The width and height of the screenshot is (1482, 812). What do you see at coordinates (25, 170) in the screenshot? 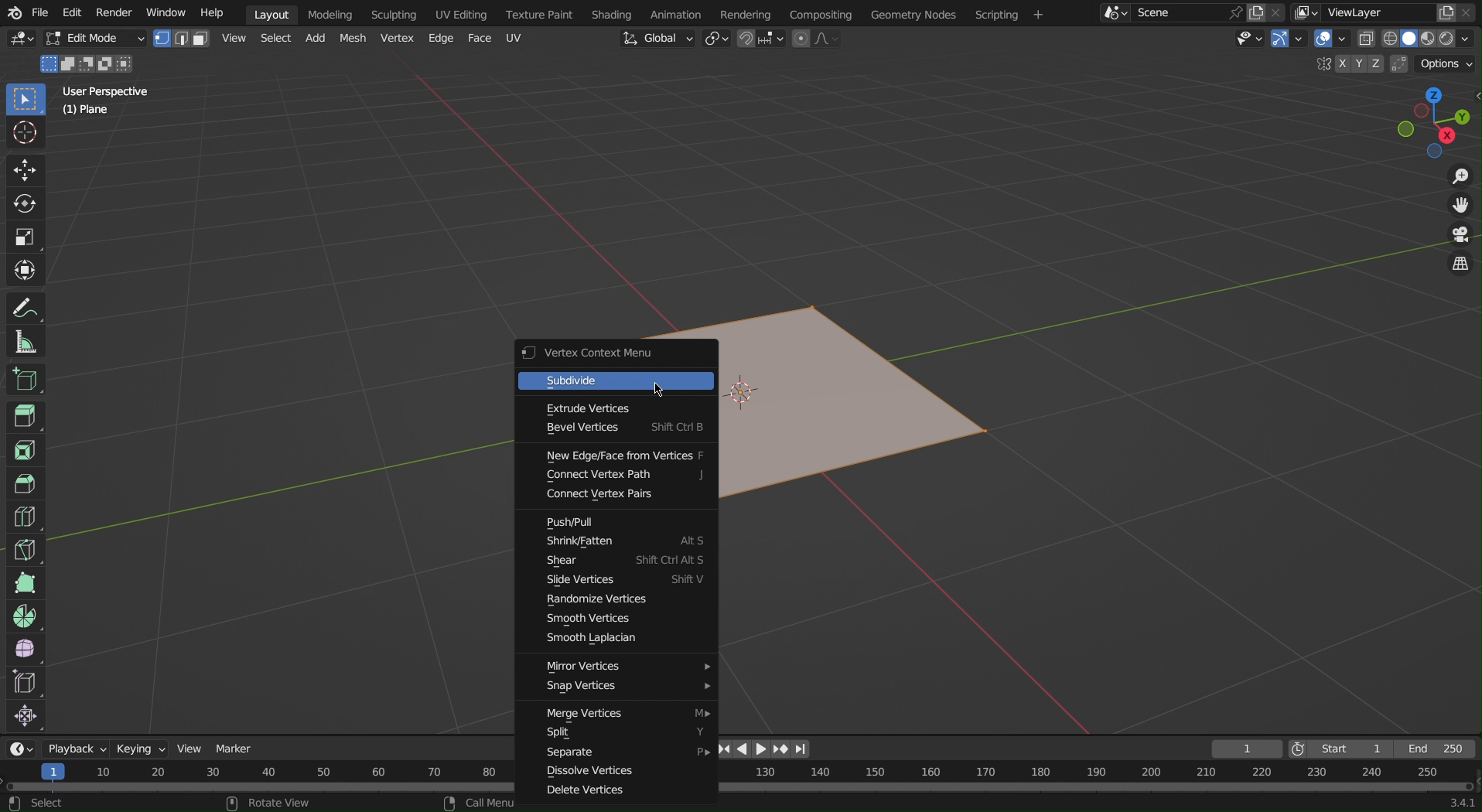
I see `Move` at bounding box center [25, 170].